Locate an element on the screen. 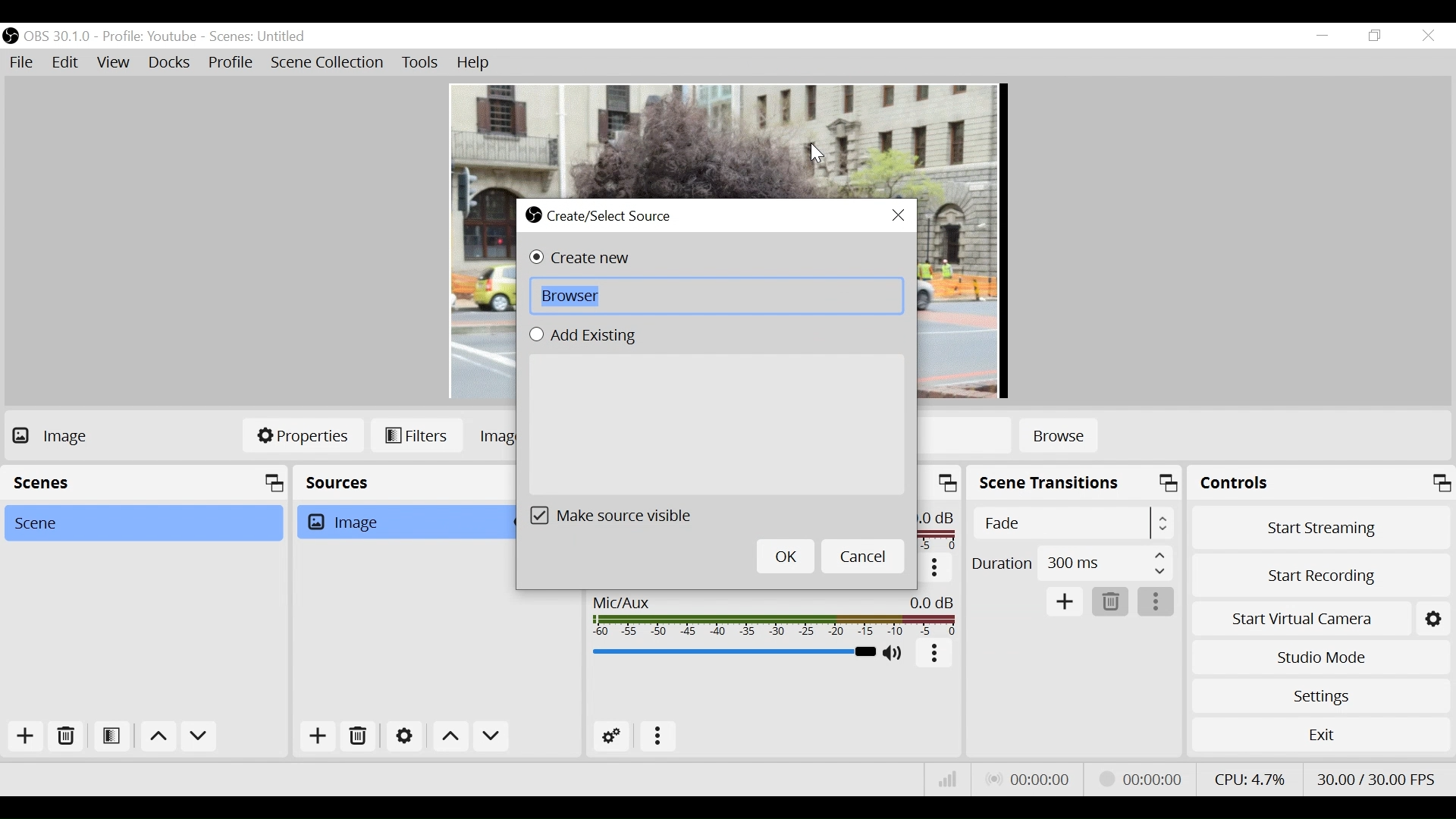  Move down is located at coordinates (491, 736).